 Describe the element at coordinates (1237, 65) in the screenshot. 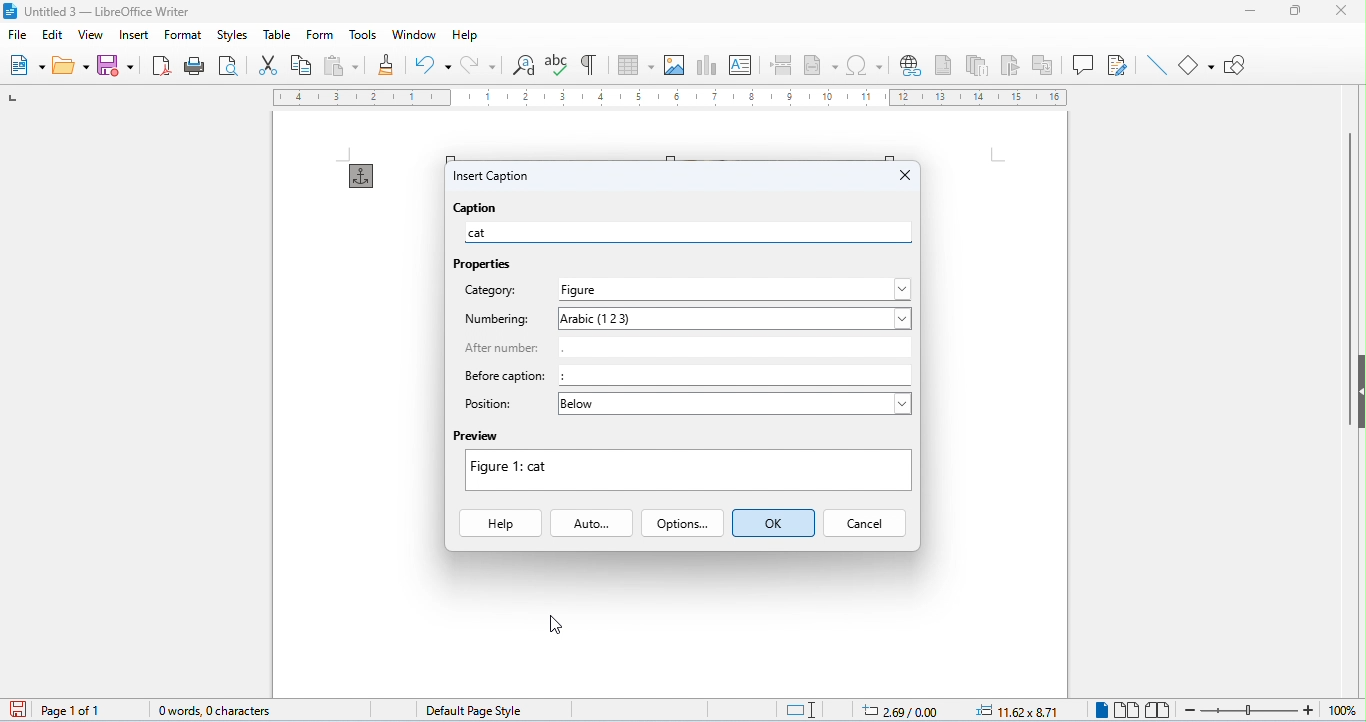

I see `show draw functions` at that location.